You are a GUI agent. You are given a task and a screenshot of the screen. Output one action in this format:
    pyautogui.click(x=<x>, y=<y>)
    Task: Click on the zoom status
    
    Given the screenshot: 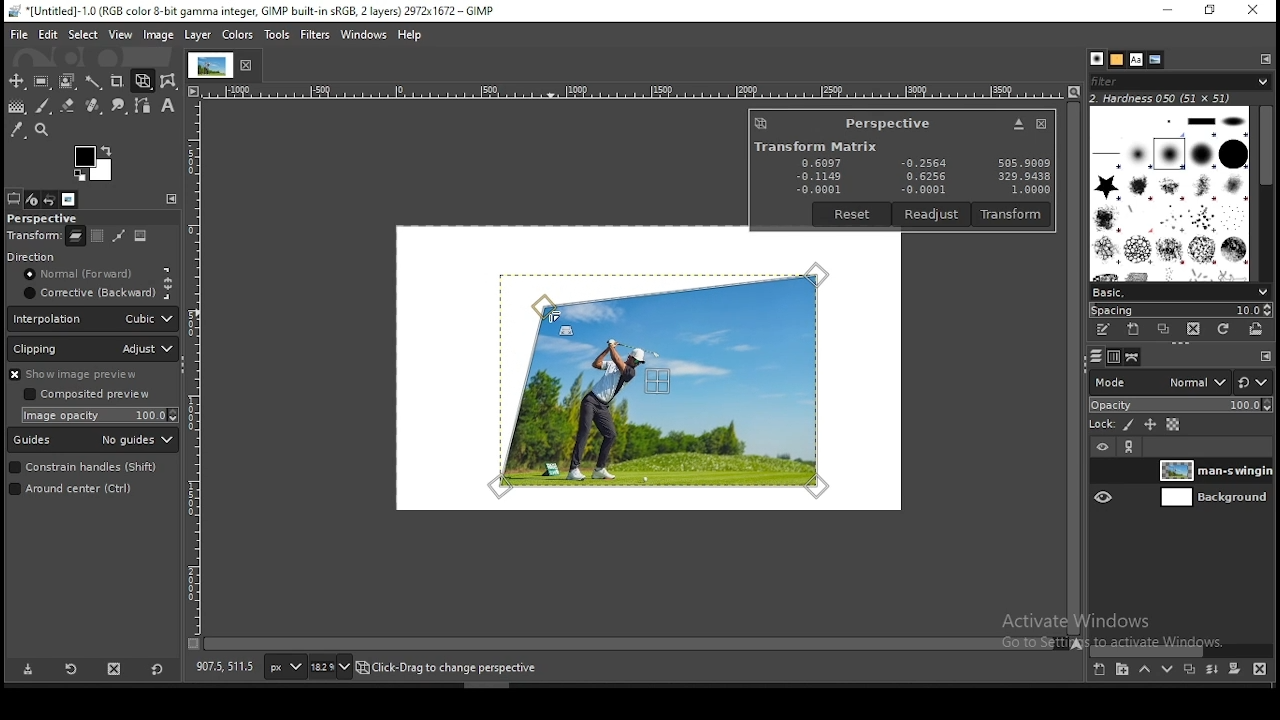 What is the action you would take?
    pyautogui.click(x=332, y=666)
    